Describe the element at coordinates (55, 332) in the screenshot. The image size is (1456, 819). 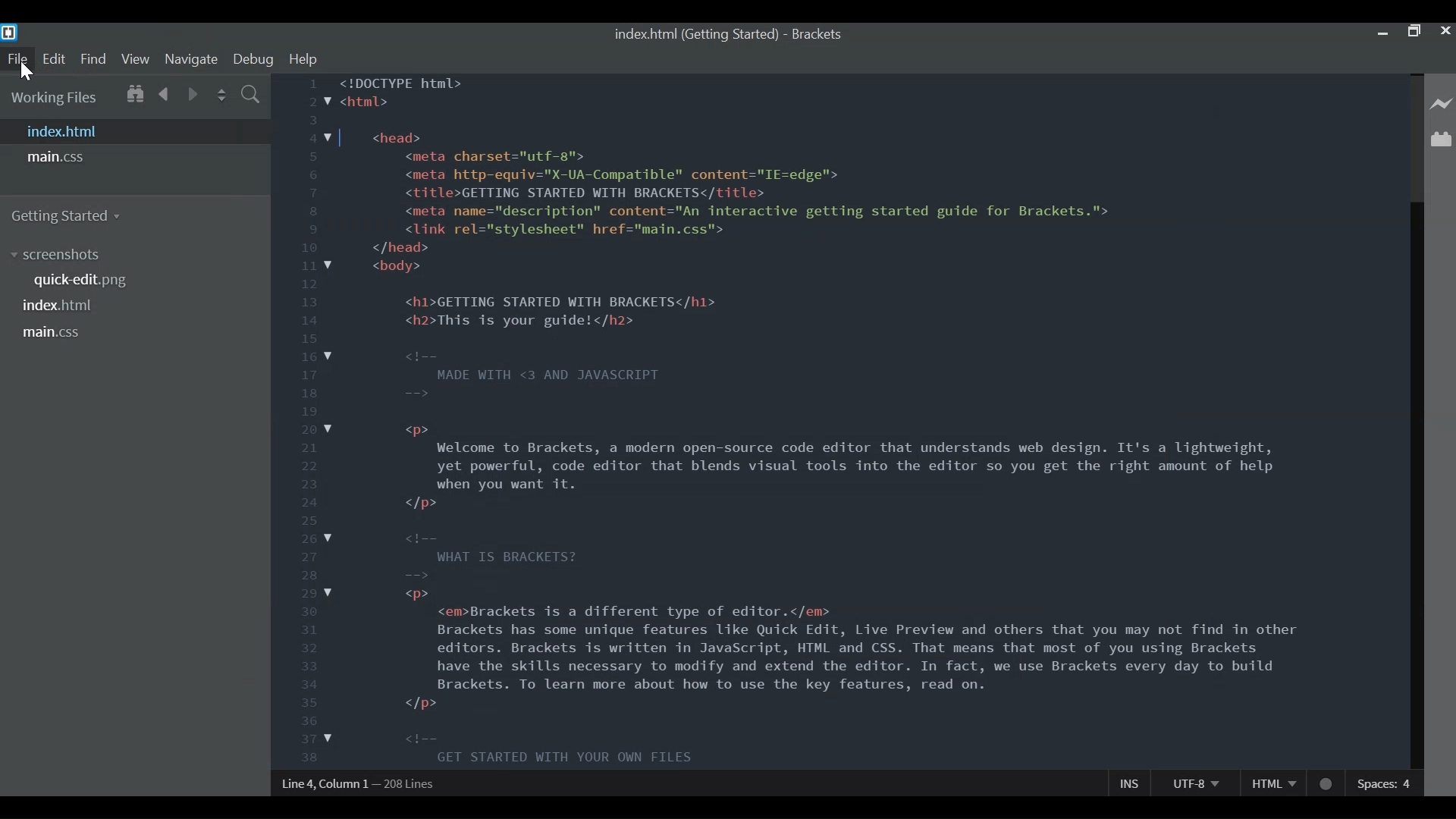
I see `main.css` at that location.